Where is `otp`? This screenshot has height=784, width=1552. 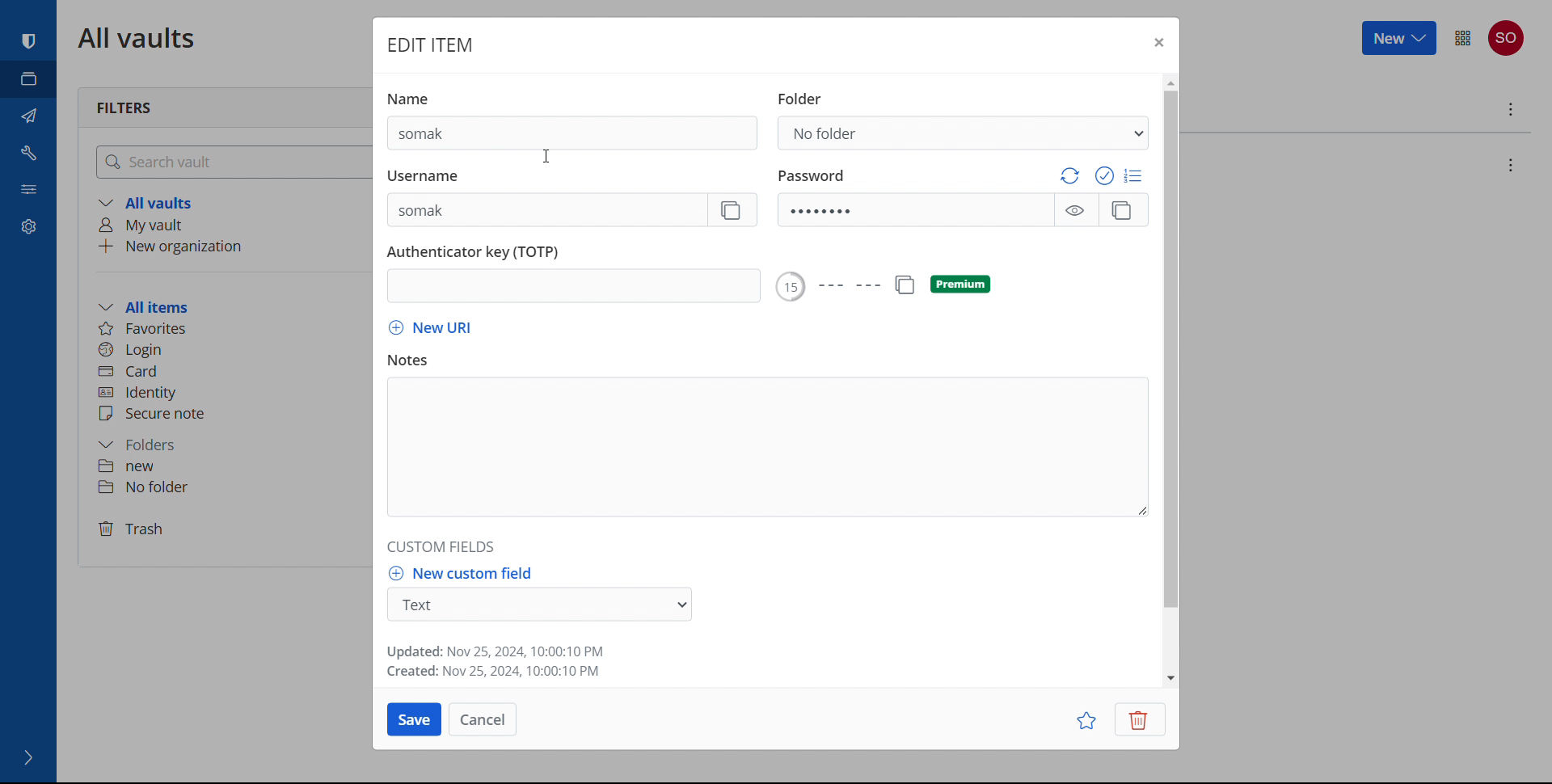
otp is located at coordinates (483, 251).